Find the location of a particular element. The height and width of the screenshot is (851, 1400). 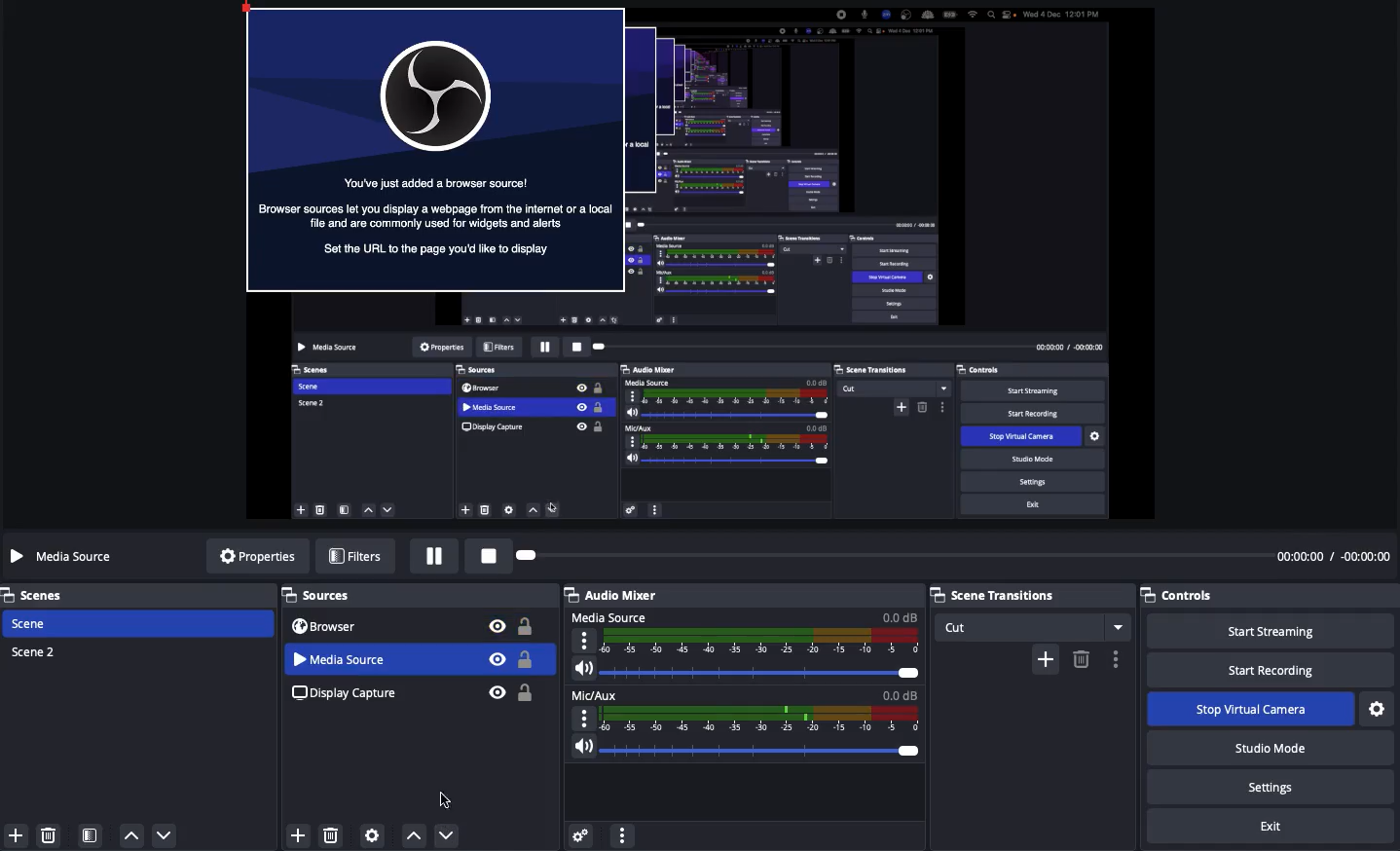

More is located at coordinates (628, 834).